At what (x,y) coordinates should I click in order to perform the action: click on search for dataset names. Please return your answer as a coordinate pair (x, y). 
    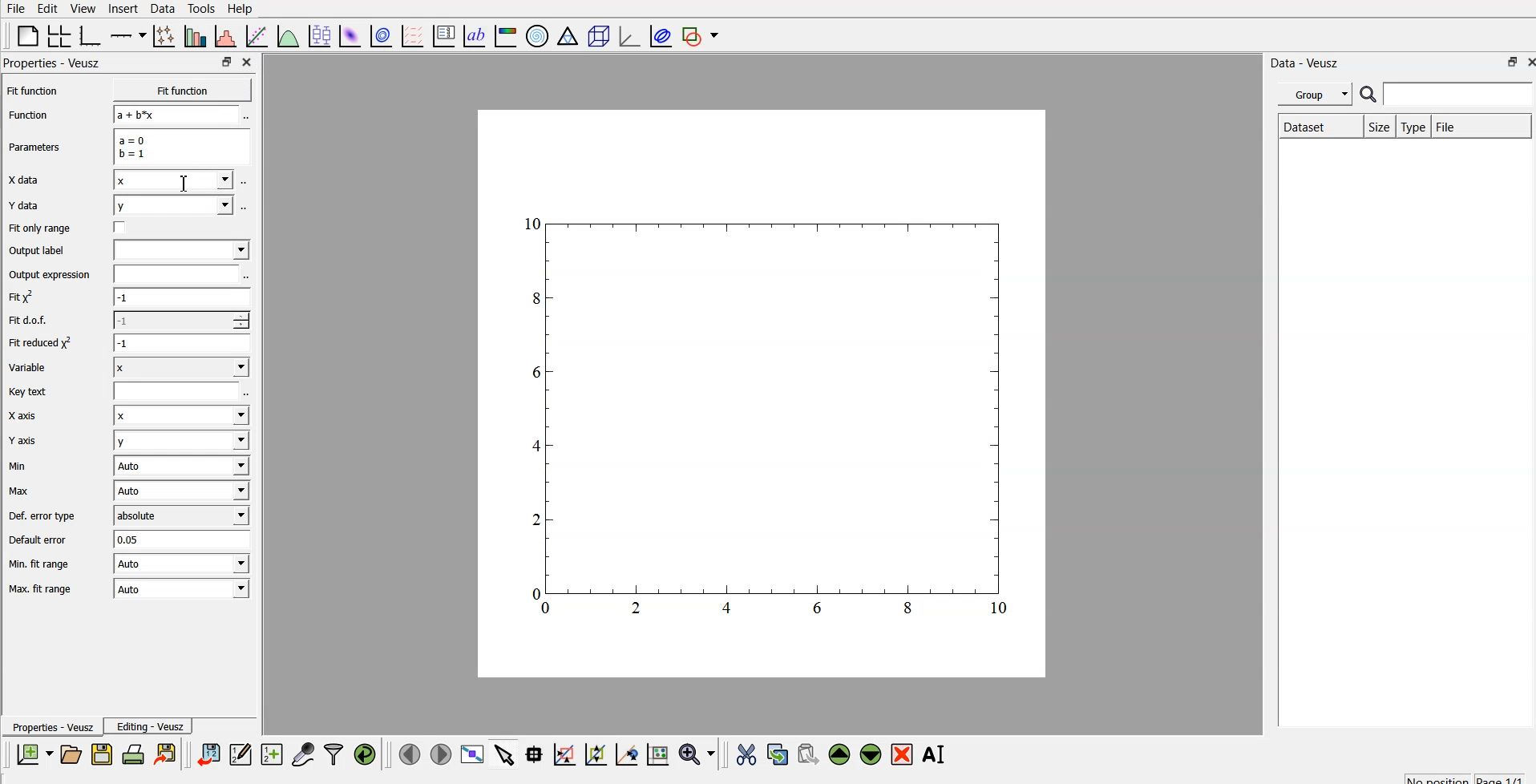
    Looking at the image, I should click on (1457, 94).